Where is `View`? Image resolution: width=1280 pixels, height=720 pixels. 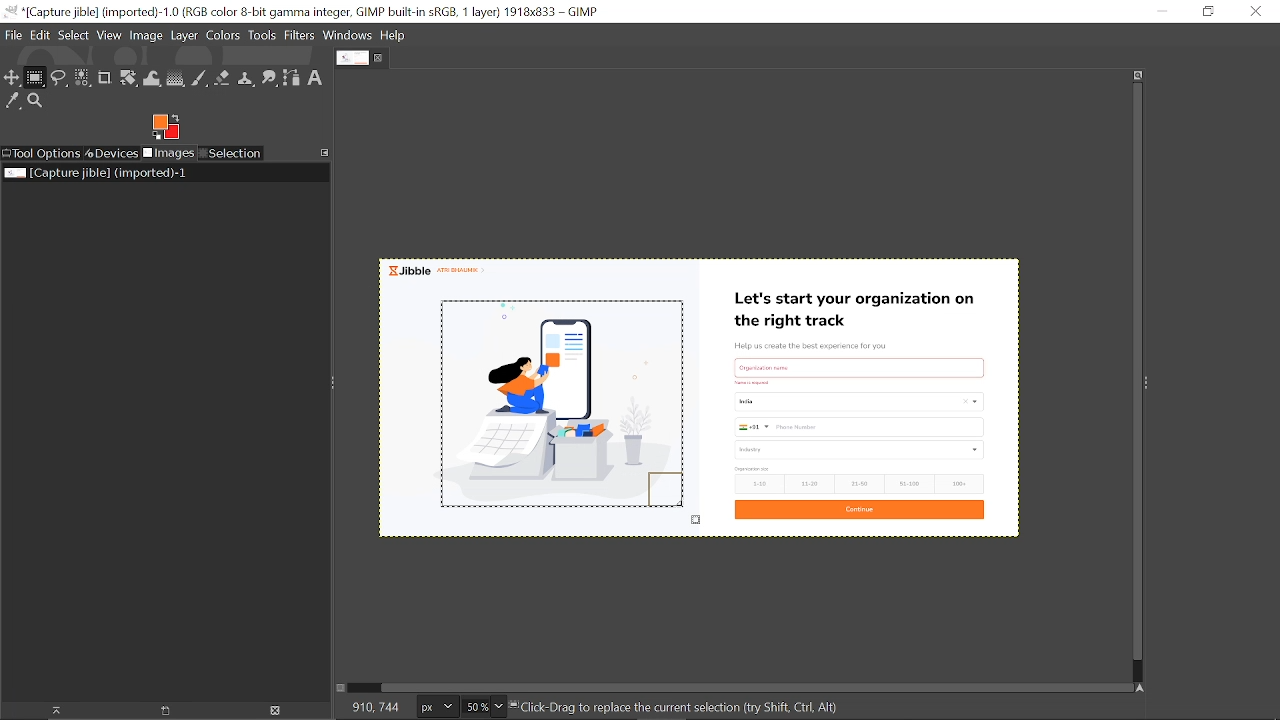
View is located at coordinates (110, 35).